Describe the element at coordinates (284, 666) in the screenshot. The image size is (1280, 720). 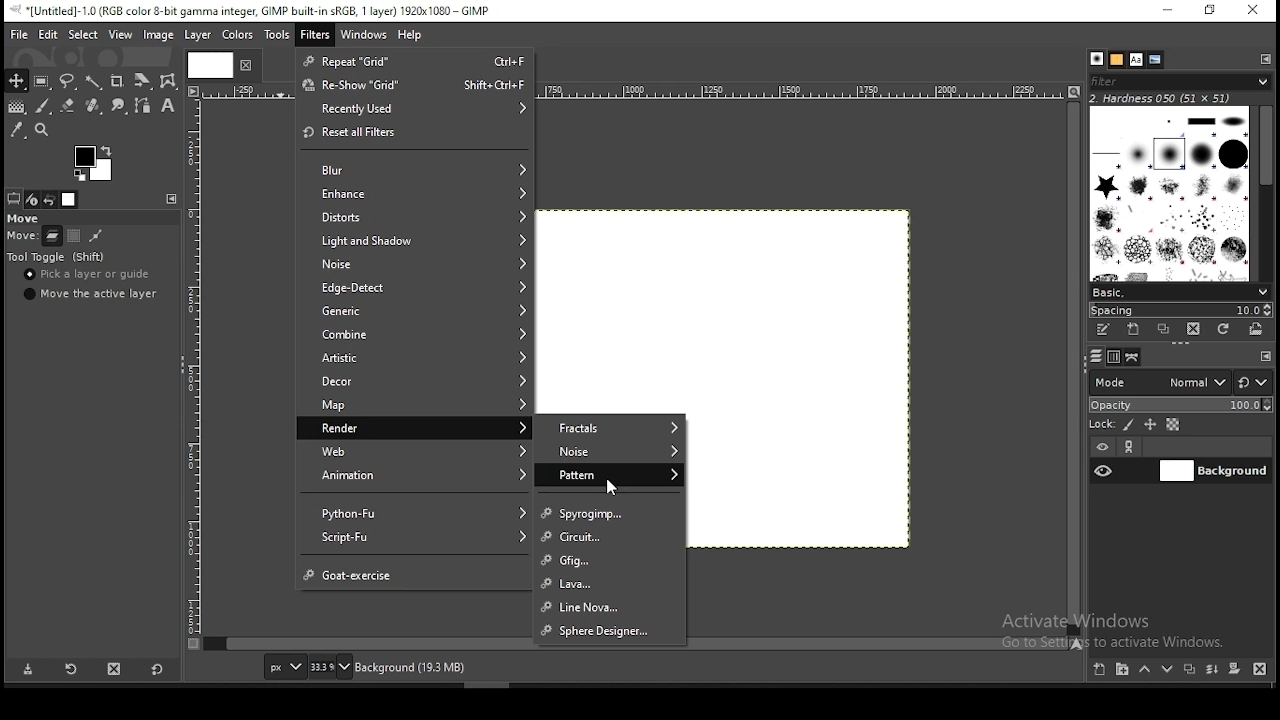
I see `units` at that location.